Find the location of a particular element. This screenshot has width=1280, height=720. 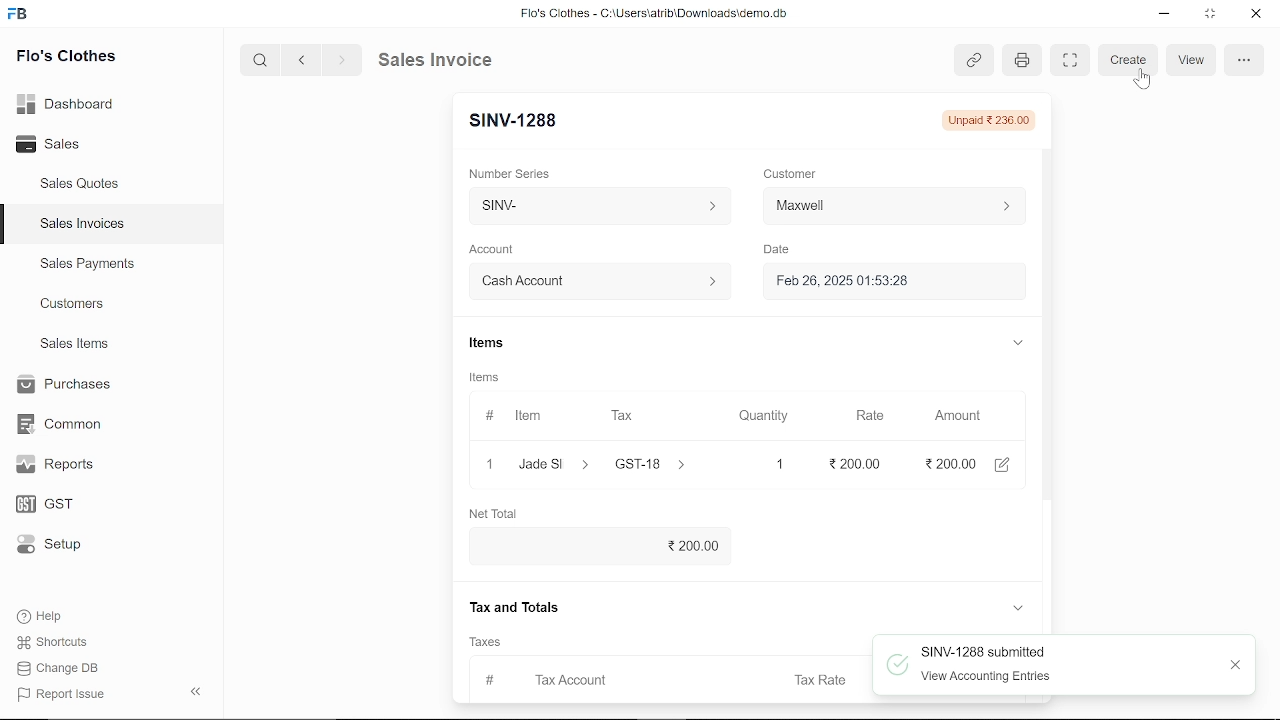

Customer is located at coordinates (792, 173).